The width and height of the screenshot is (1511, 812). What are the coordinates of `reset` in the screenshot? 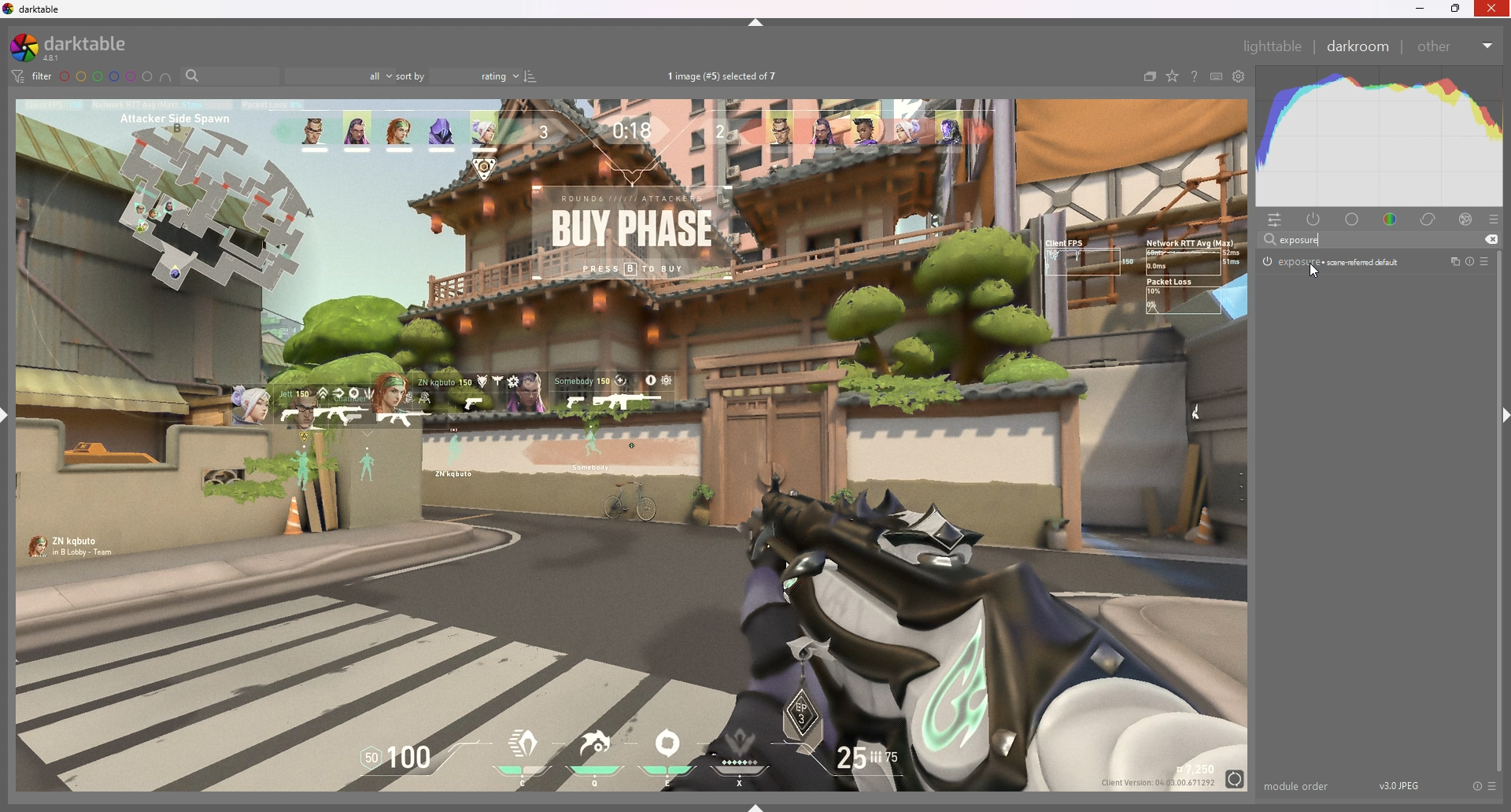 It's located at (1469, 261).